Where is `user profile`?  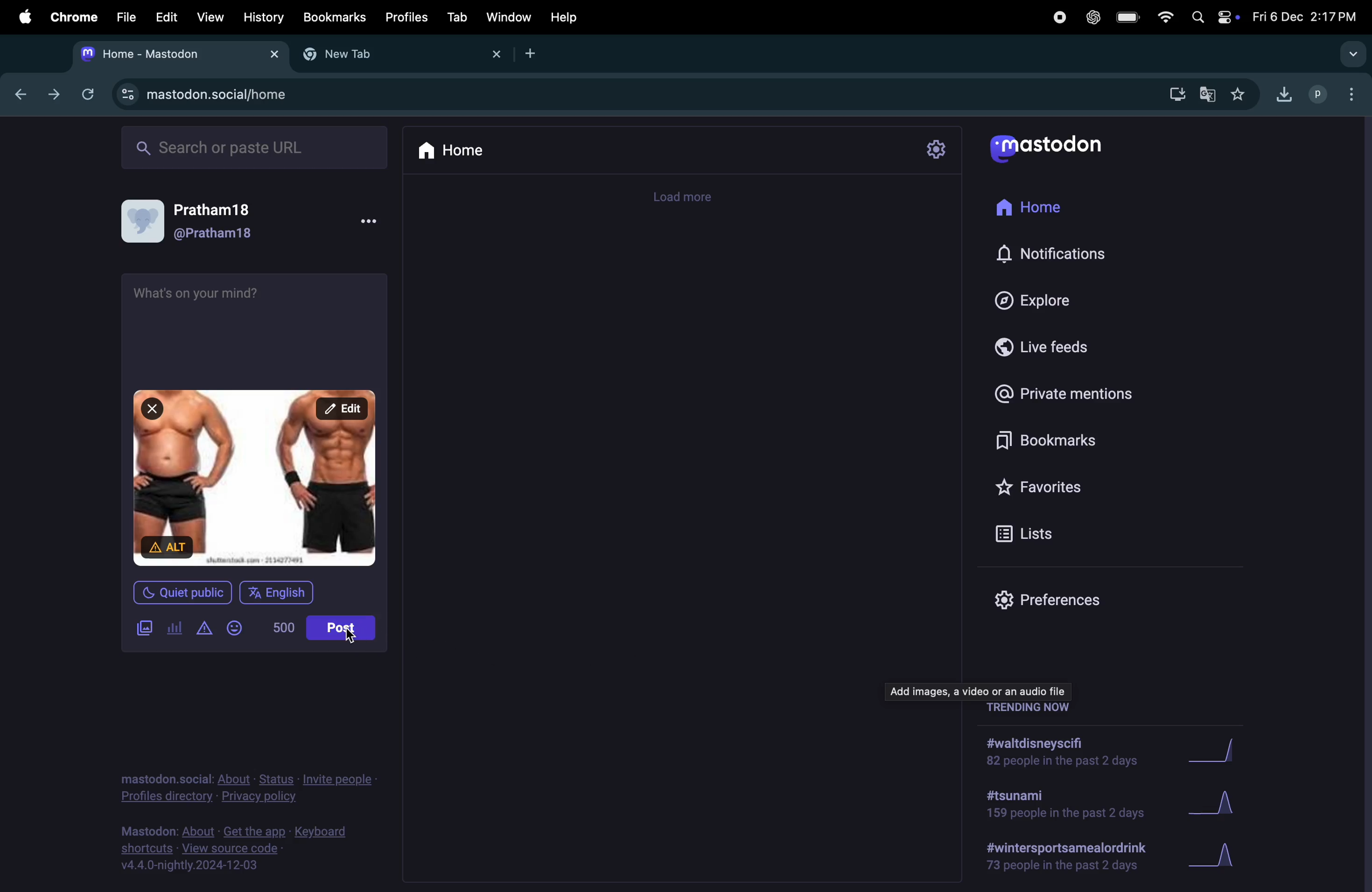
user profile is located at coordinates (1319, 93).